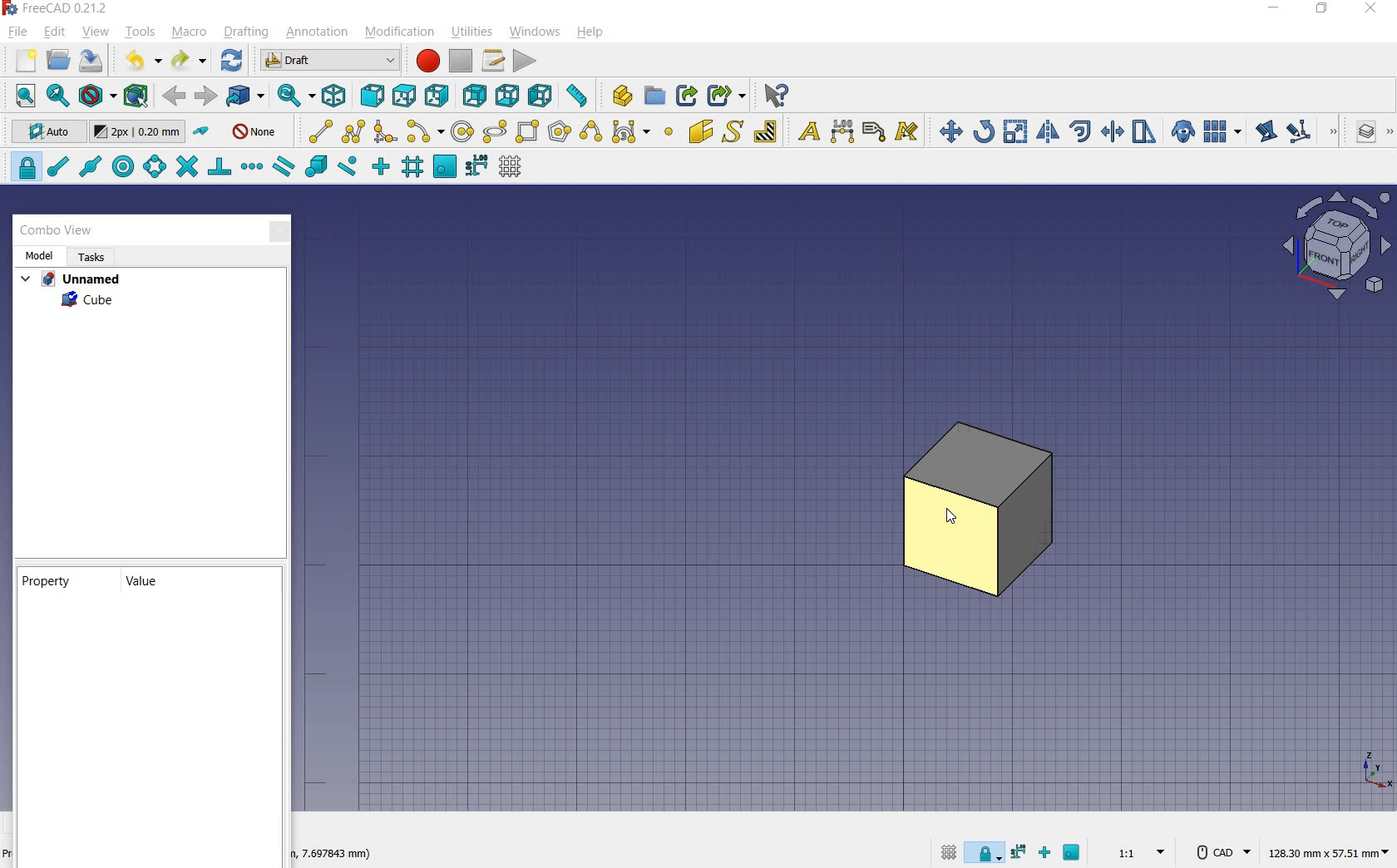 The width and height of the screenshot is (1397, 868). I want to click on sync view, so click(295, 96).